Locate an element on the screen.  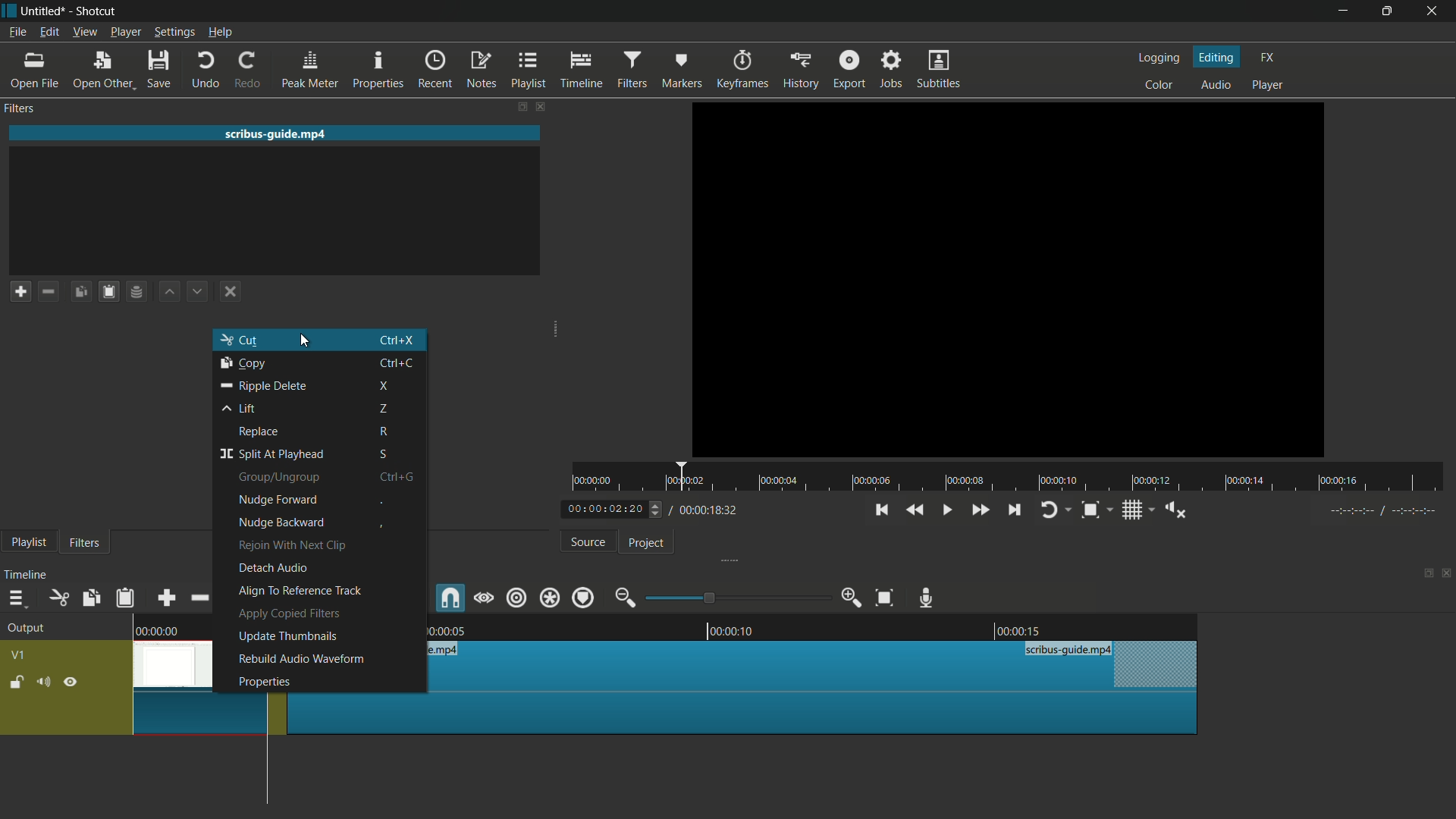
change layout is located at coordinates (1426, 575).